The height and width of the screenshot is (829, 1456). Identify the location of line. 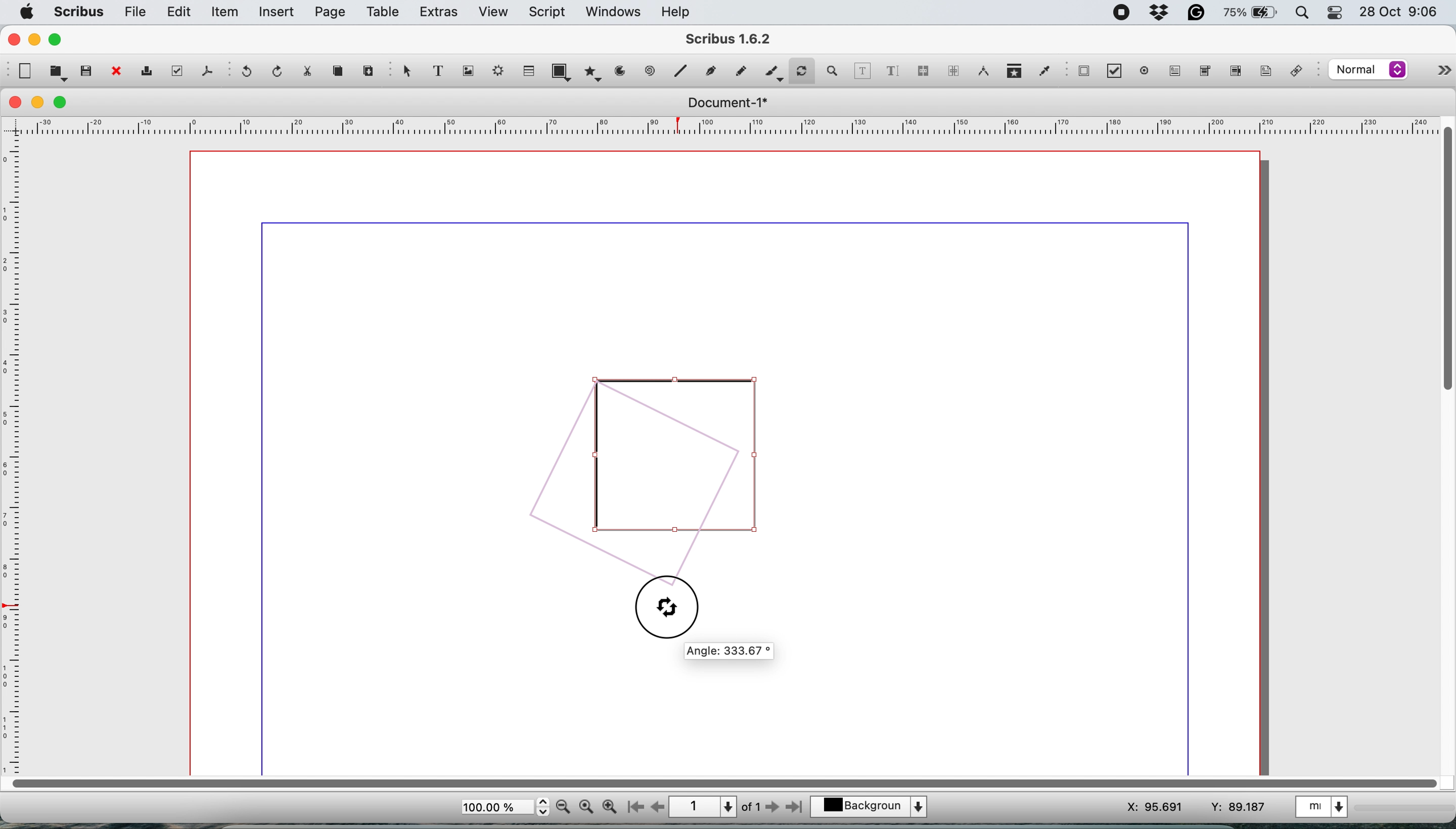
(650, 72).